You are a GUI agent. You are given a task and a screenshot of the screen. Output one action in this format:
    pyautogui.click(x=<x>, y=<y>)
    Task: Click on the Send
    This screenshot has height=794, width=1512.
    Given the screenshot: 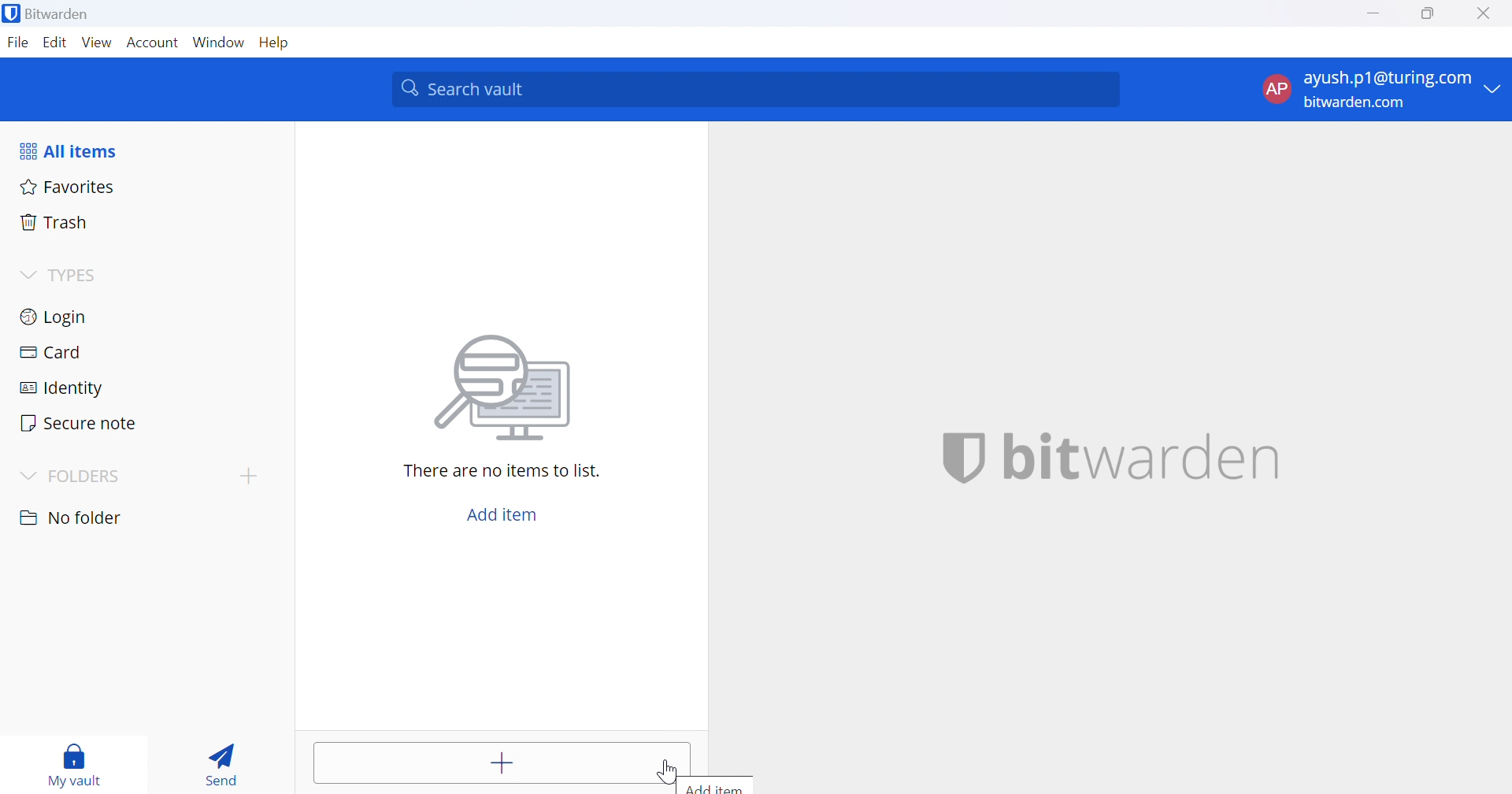 What is the action you would take?
    pyautogui.click(x=224, y=760)
    